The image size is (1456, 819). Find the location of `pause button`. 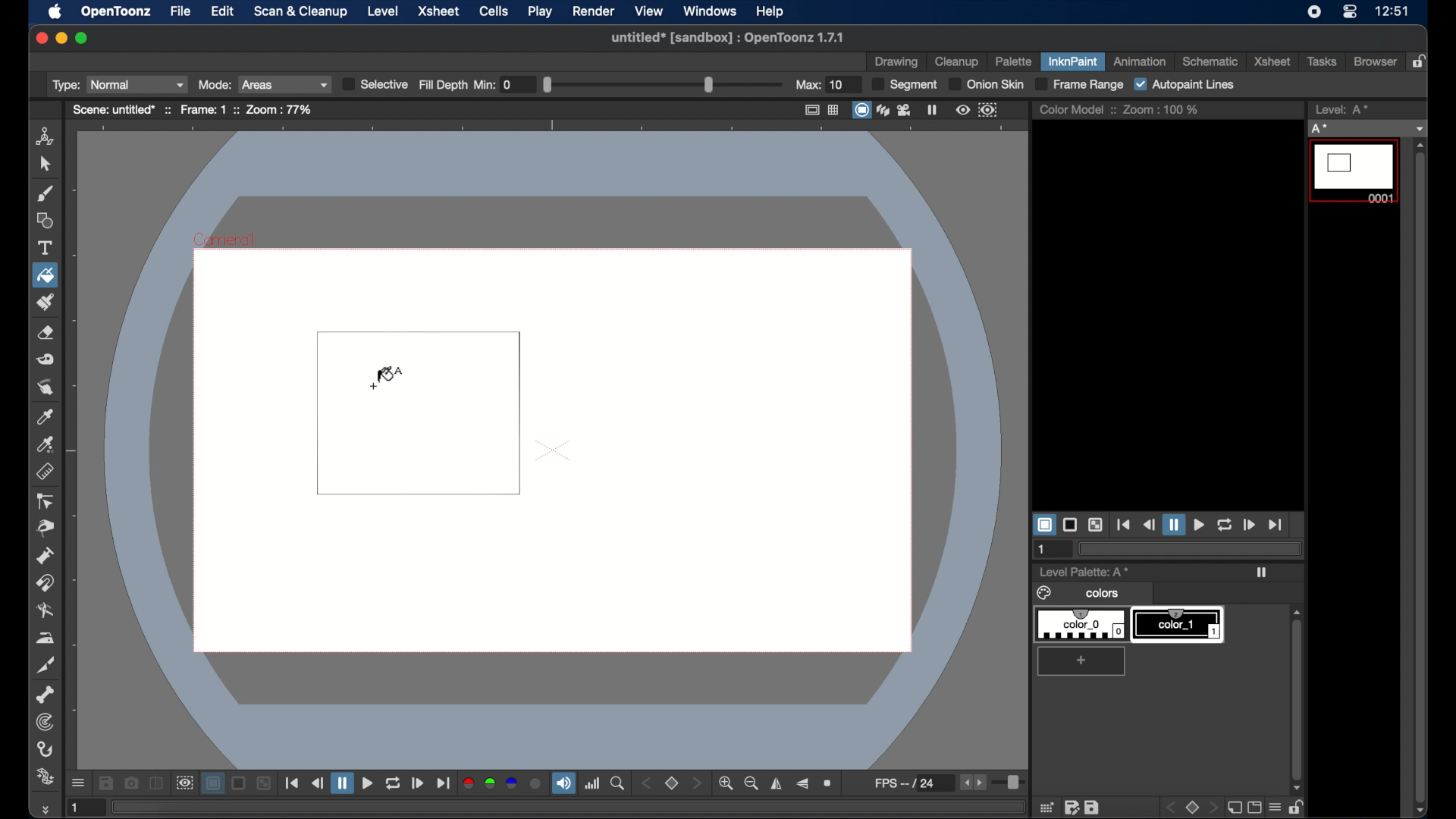

pause button is located at coordinates (342, 783).